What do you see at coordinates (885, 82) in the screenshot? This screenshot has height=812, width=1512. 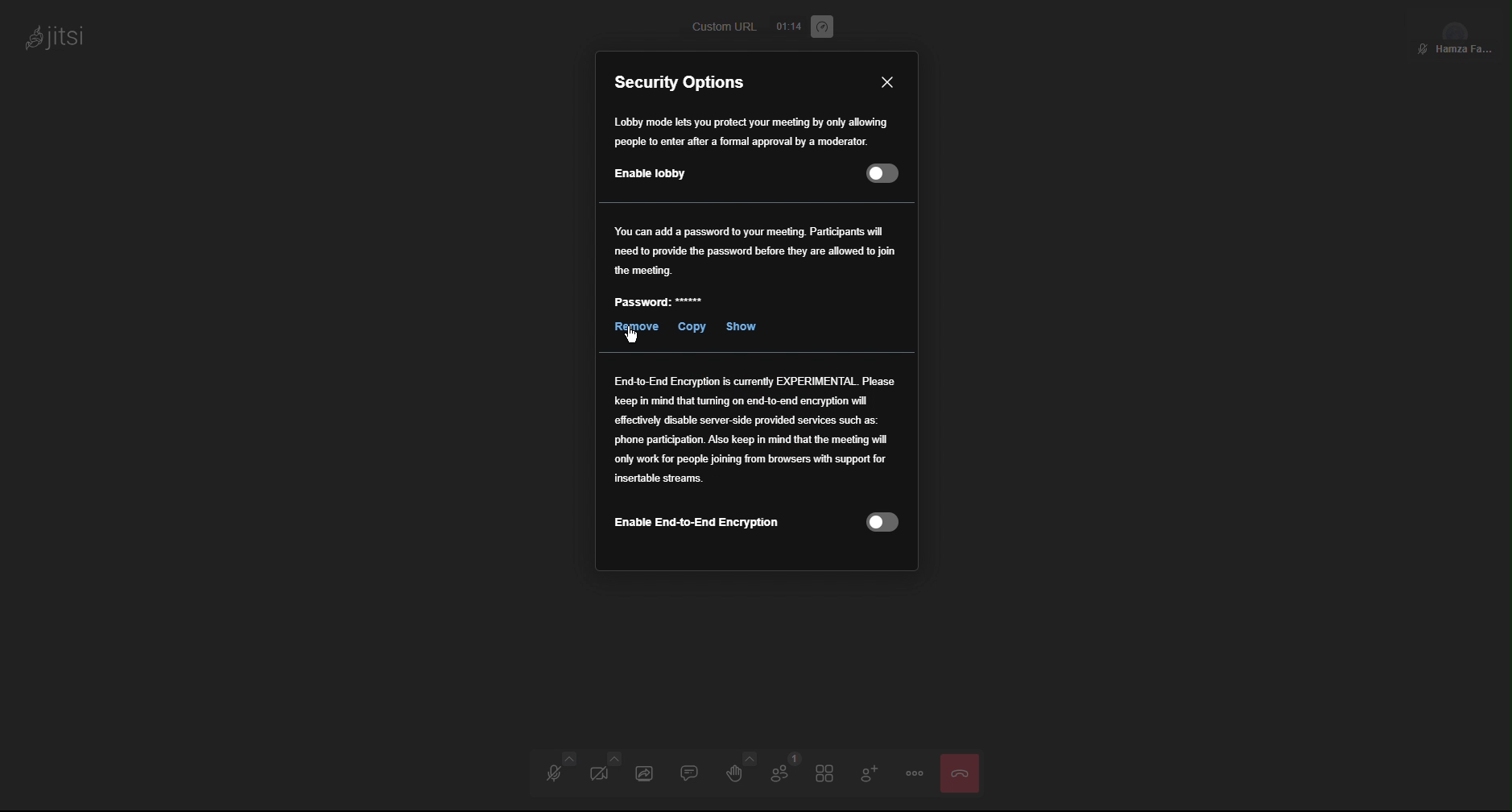 I see `Close` at bounding box center [885, 82].